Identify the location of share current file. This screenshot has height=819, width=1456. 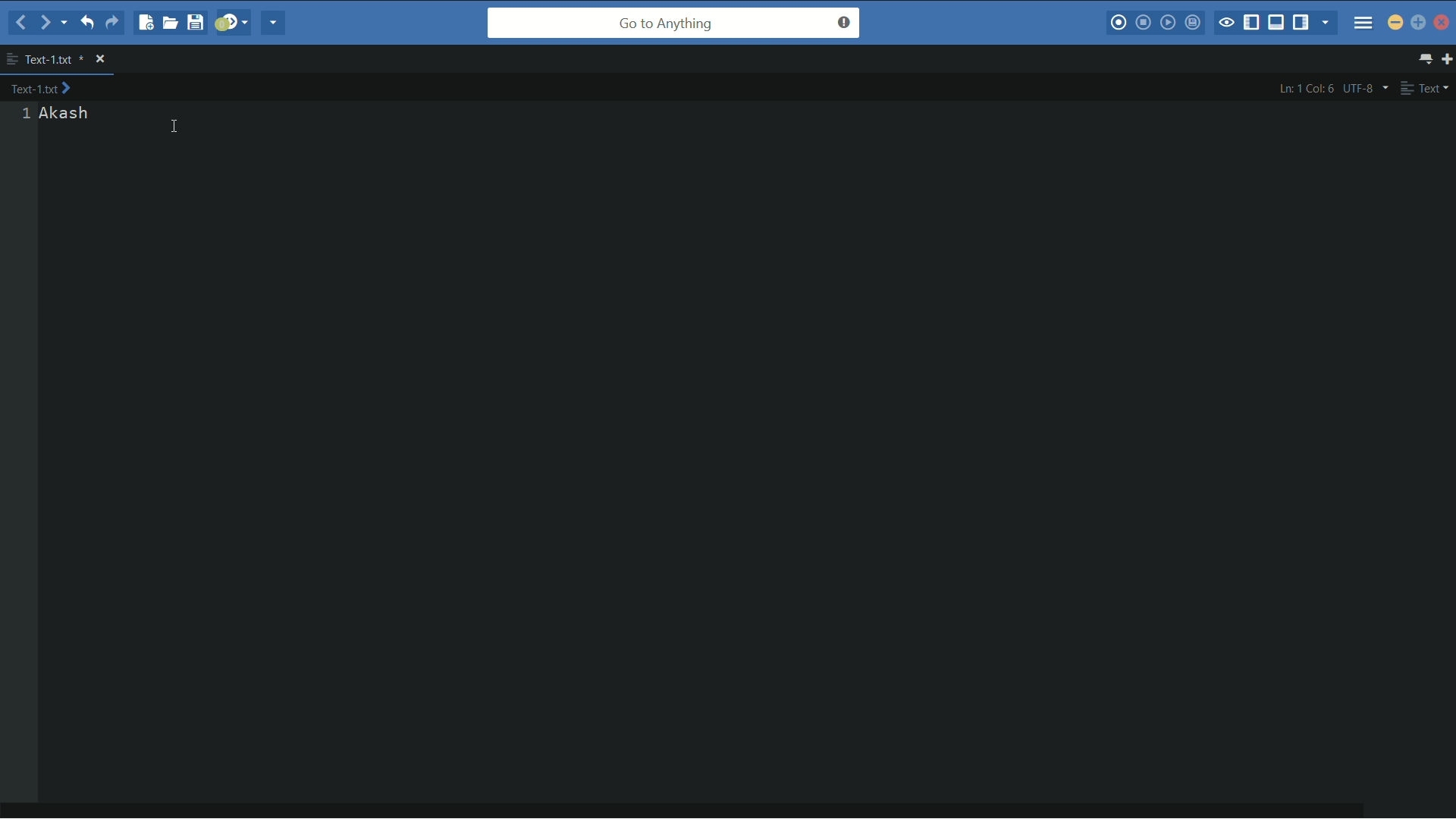
(274, 22).